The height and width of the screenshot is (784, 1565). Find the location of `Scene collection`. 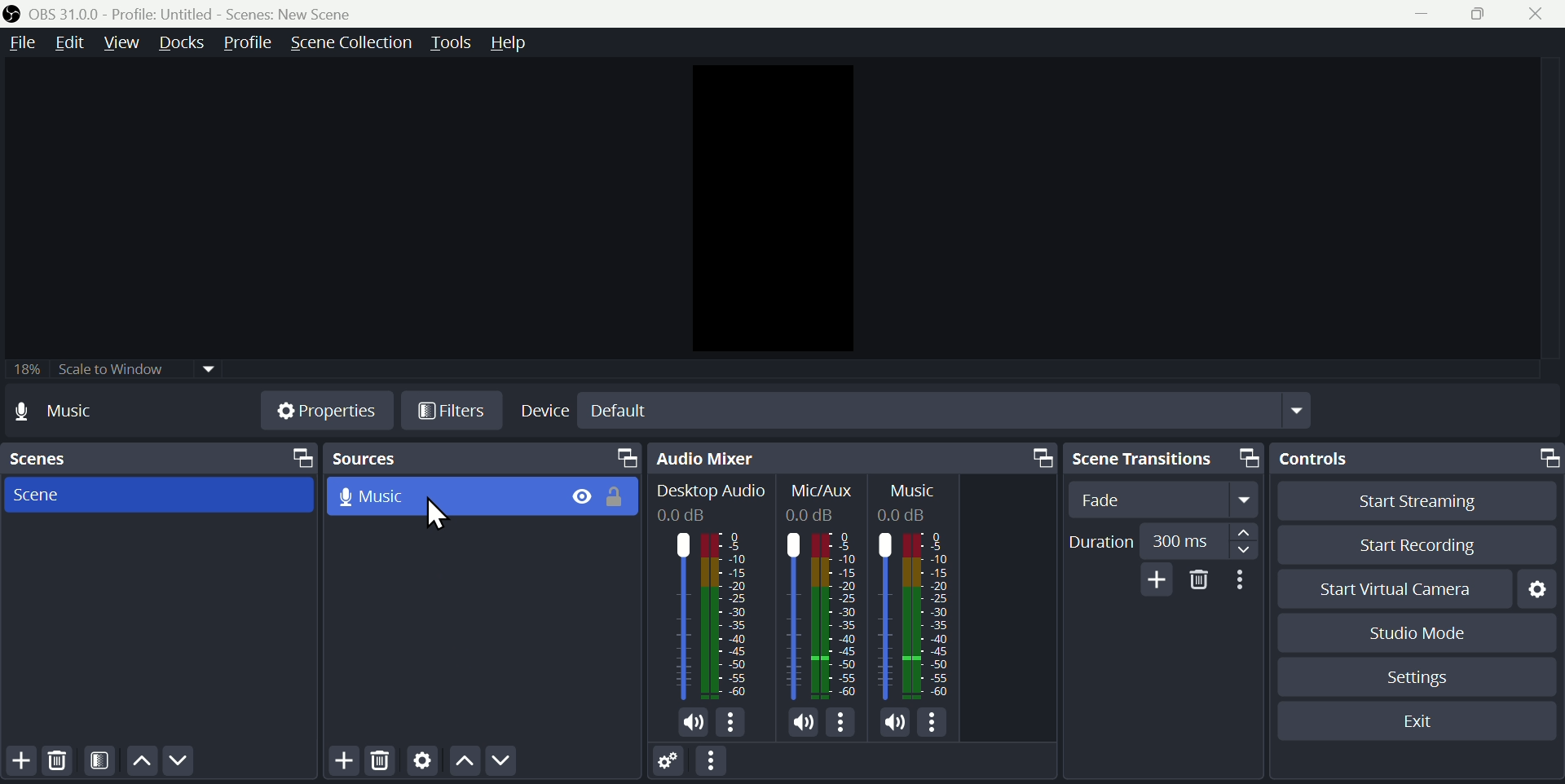

Scene collection is located at coordinates (355, 42).